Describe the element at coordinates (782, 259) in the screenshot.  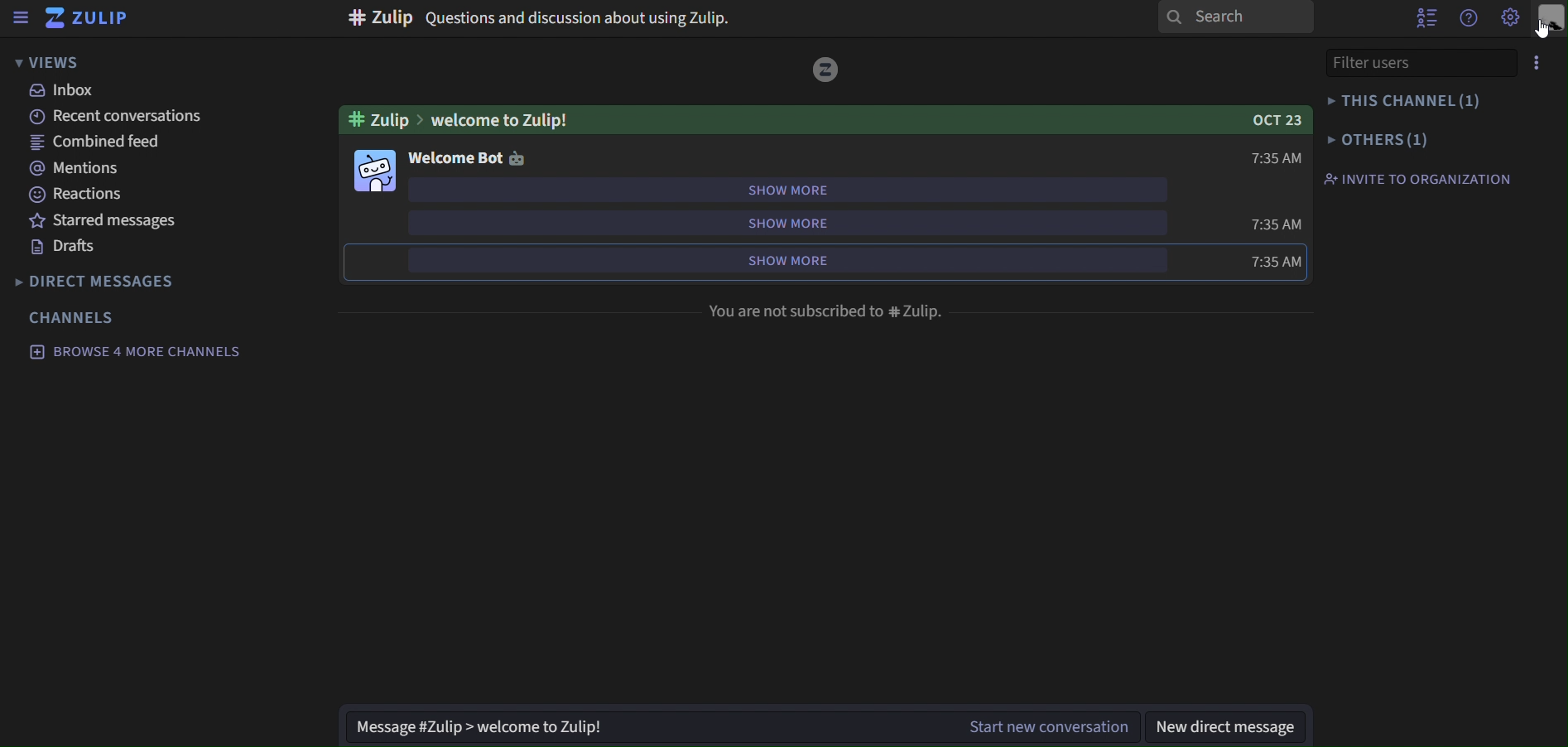
I see `show more` at that location.